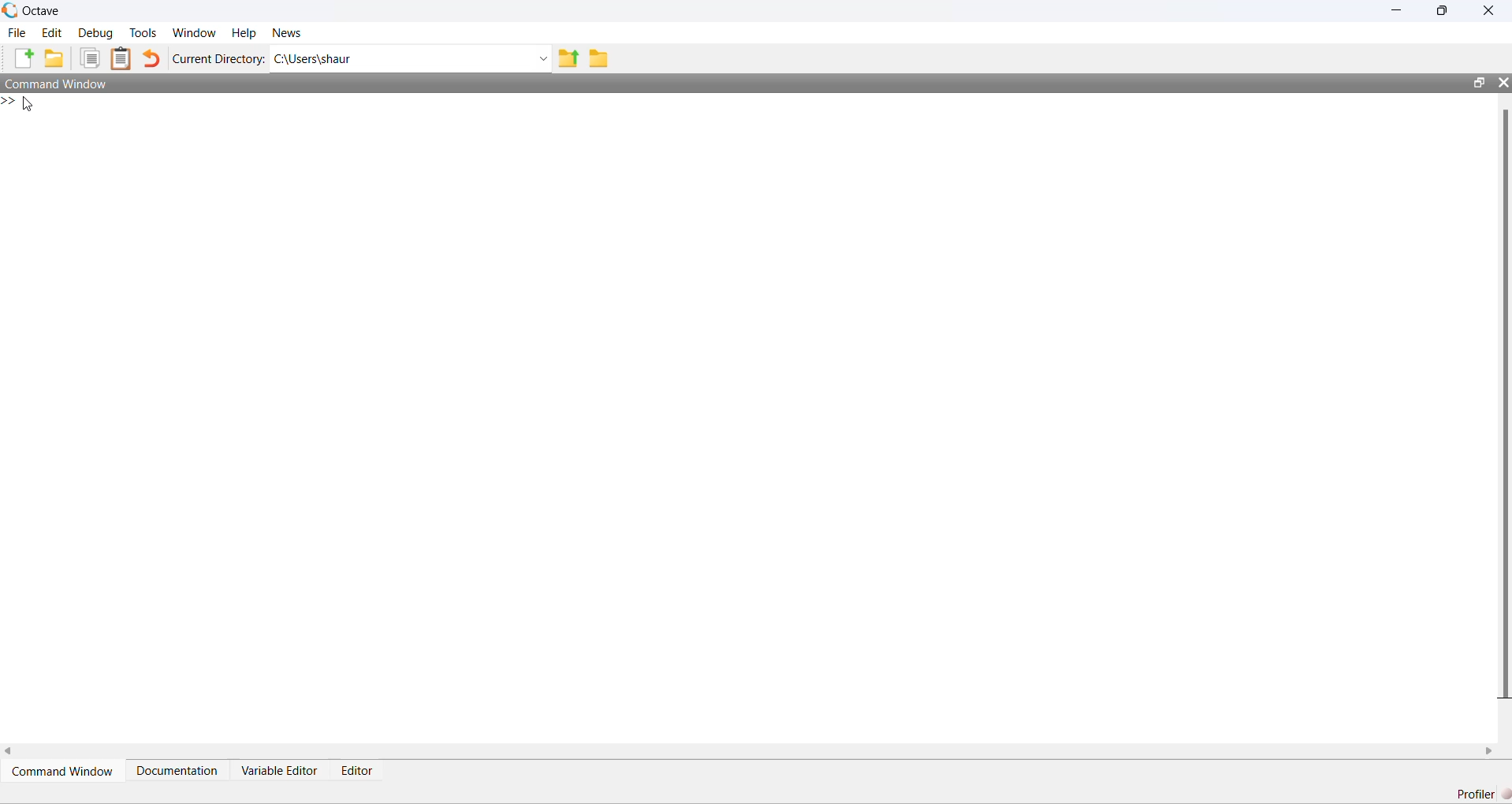  Describe the element at coordinates (98, 33) in the screenshot. I see `Debug` at that location.